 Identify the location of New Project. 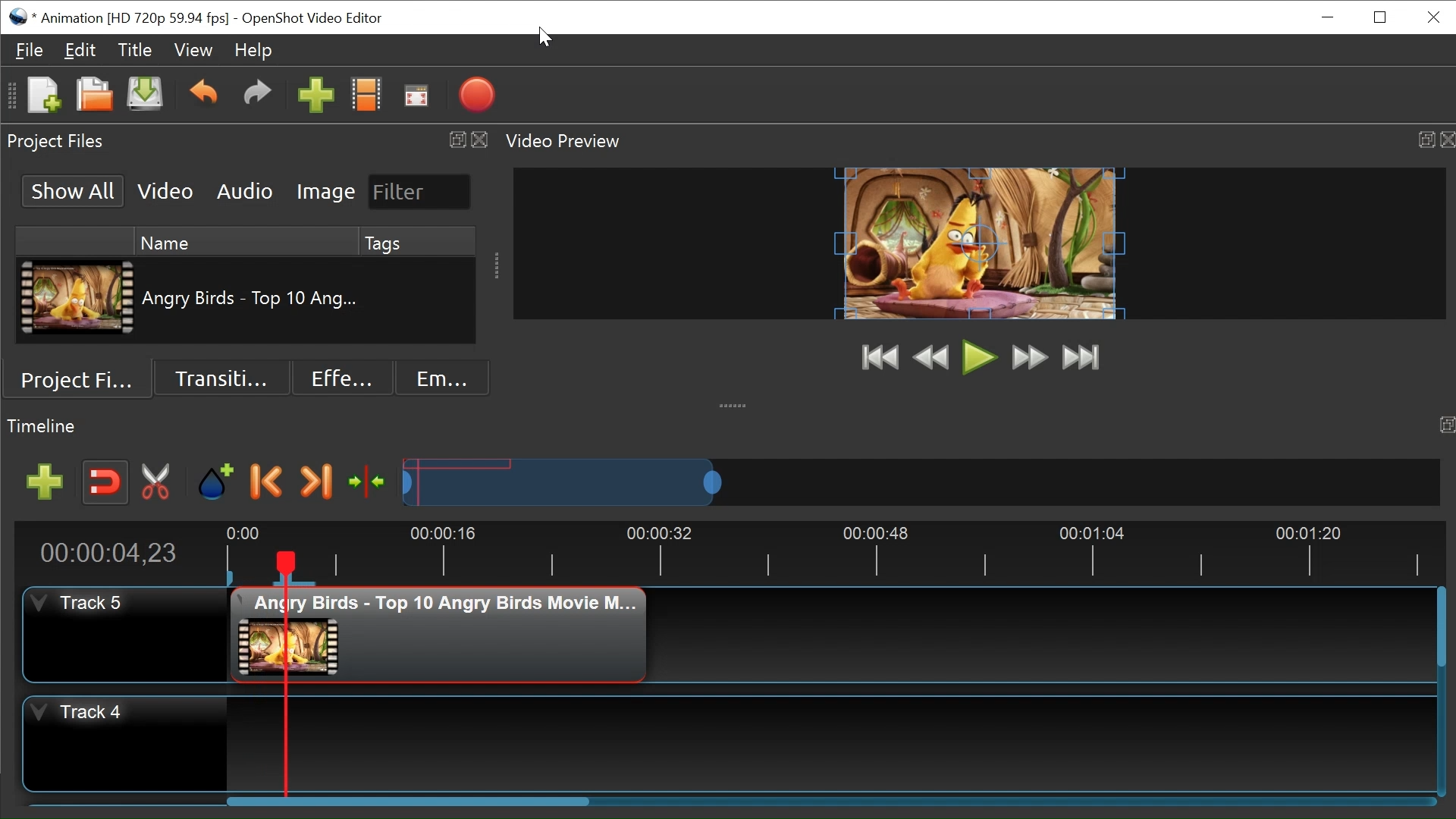
(42, 93).